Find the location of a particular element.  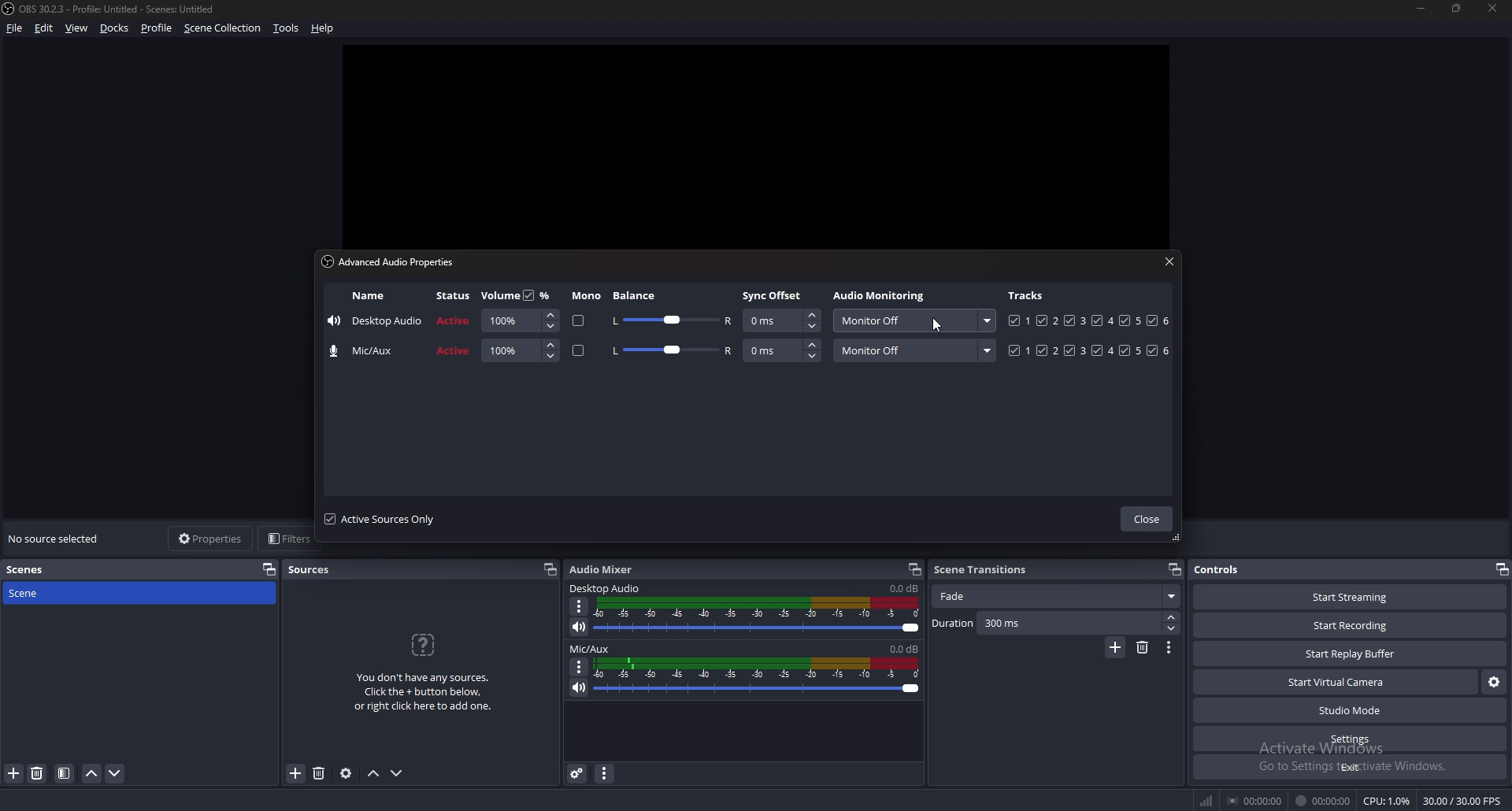

network is located at coordinates (1208, 801).